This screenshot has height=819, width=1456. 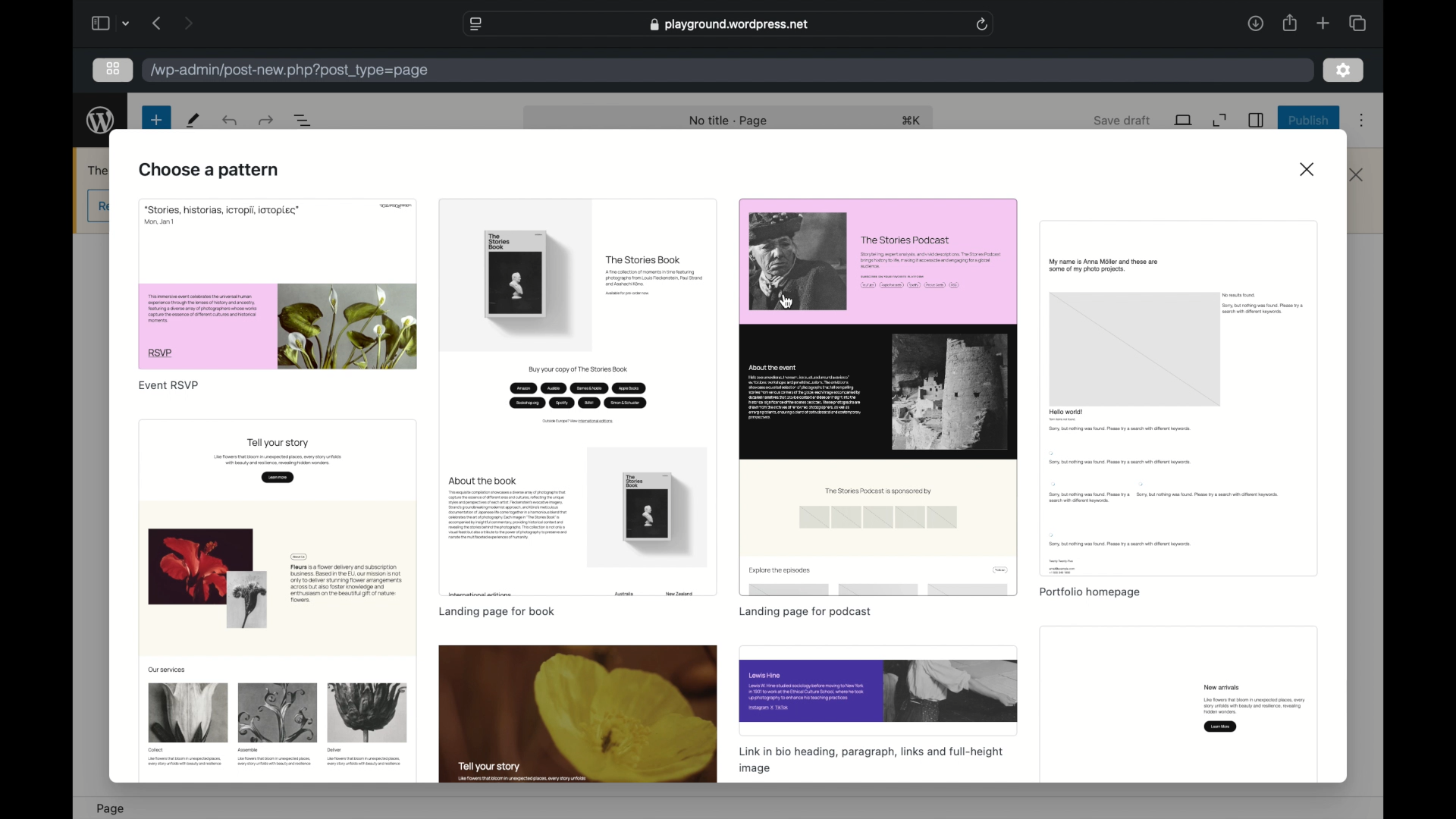 I want to click on next page, so click(x=188, y=23).